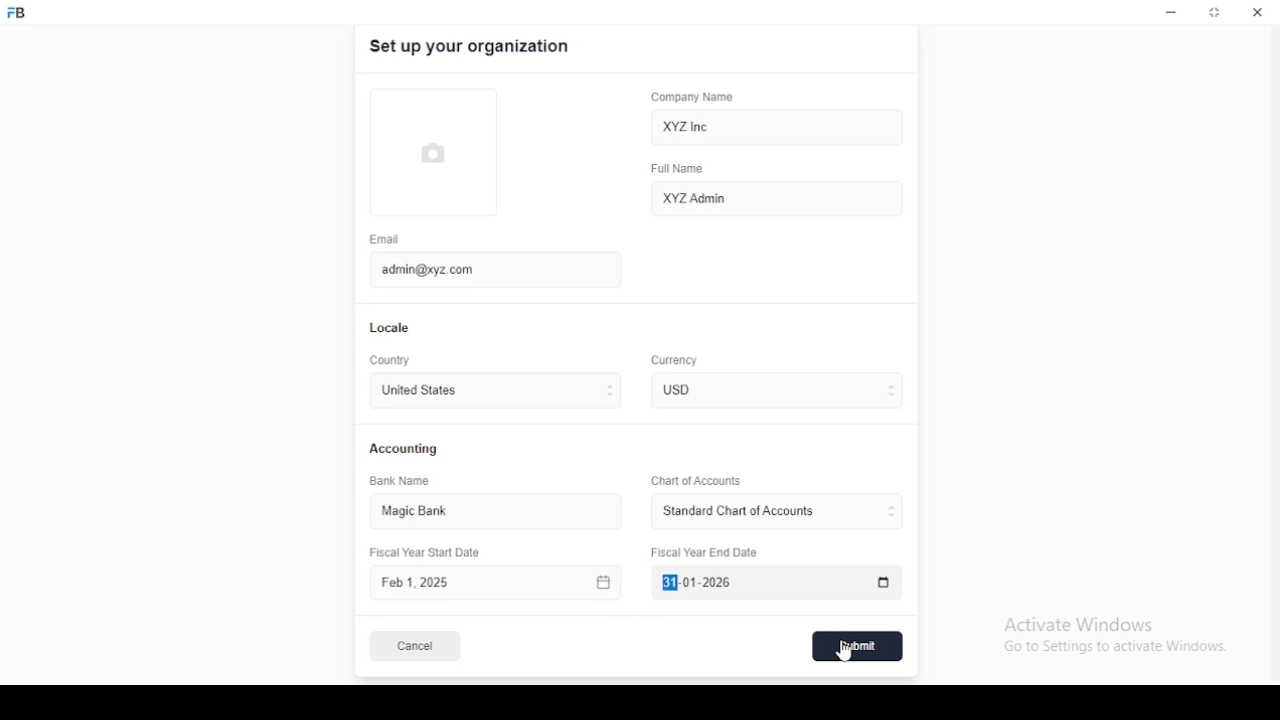 This screenshot has width=1280, height=720. What do you see at coordinates (689, 390) in the screenshot?
I see `currency` at bounding box center [689, 390].